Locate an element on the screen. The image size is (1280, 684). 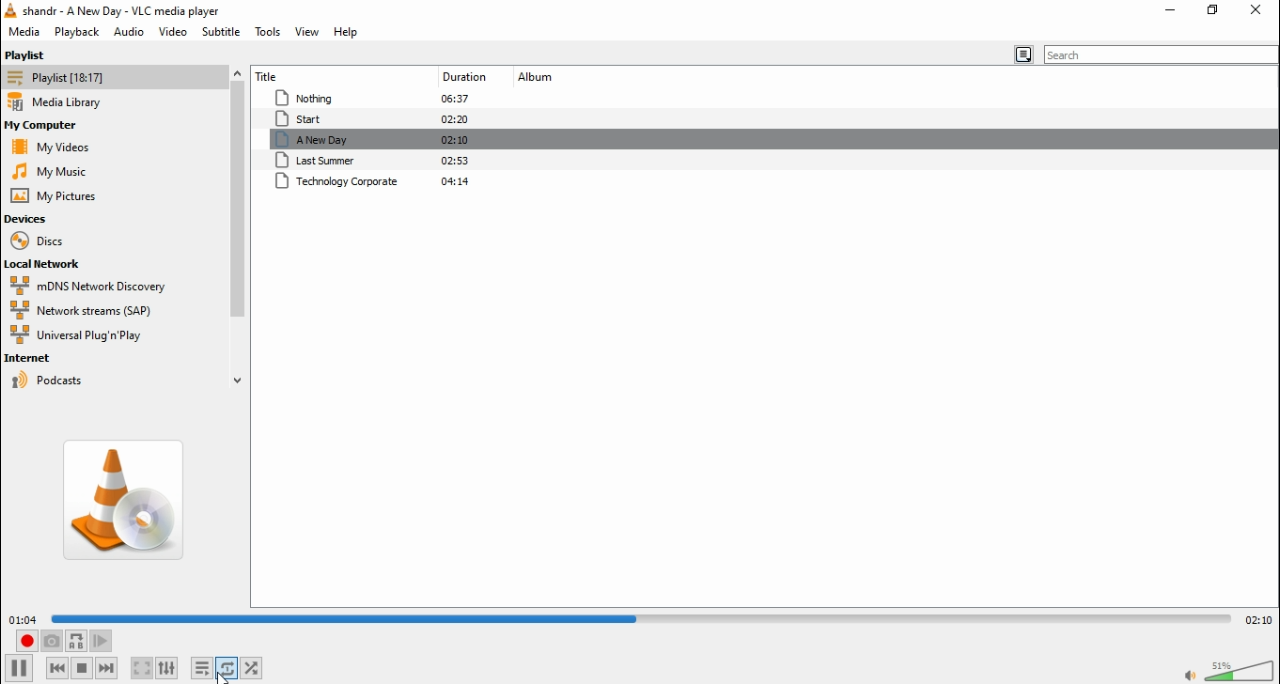
click to toggle between loop all, loop 1, and no loop is located at coordinates (227, 667).